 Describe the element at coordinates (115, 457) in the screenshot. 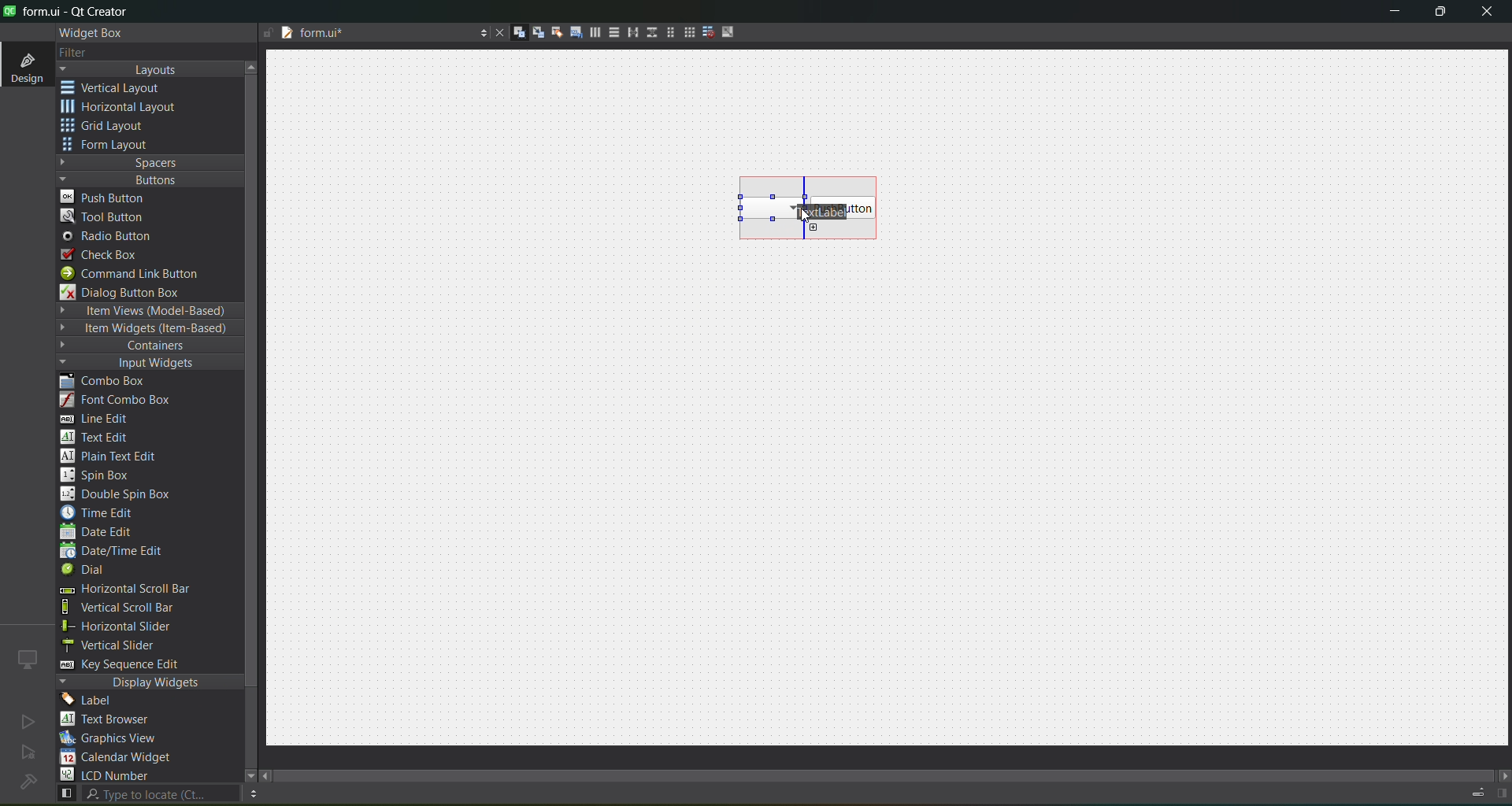

I see `plain text edit` at that location.